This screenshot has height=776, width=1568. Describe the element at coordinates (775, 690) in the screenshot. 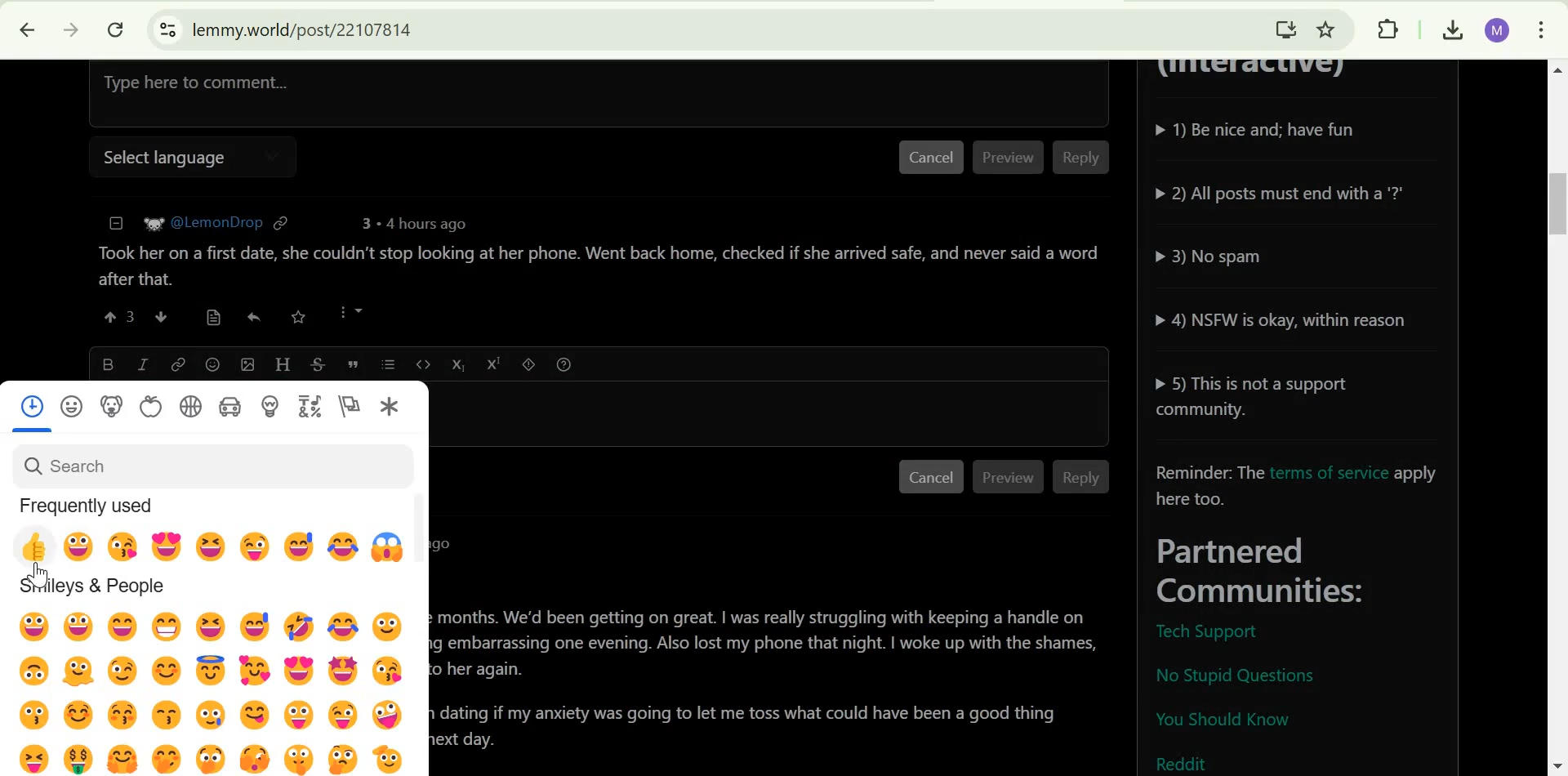

I see `Comment` at that location.